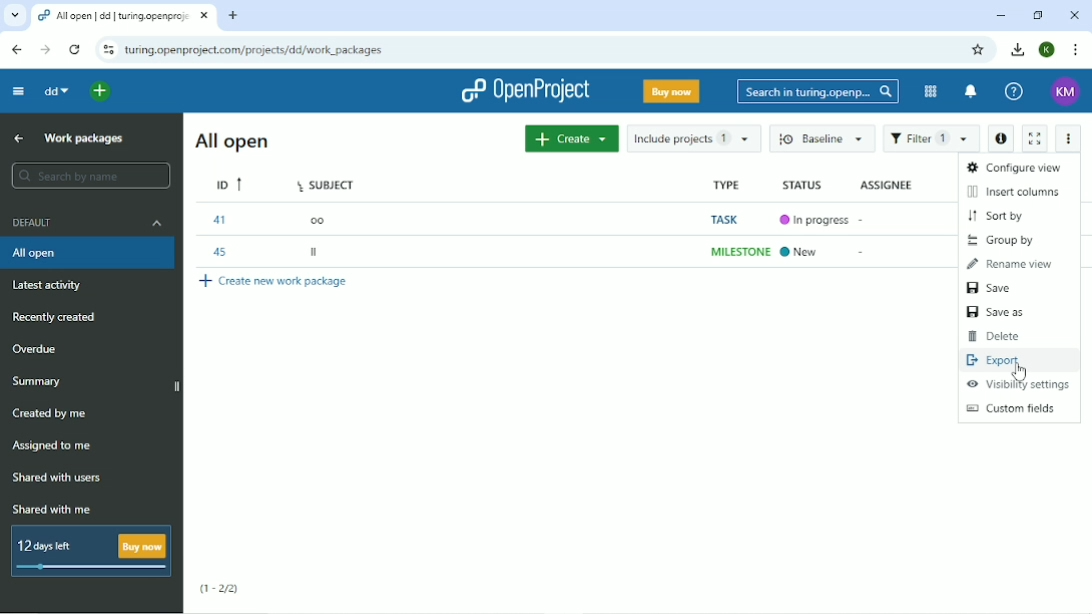  Describe the element at coordinates (87, 221) in the screenshot. I see `Default` at that location.